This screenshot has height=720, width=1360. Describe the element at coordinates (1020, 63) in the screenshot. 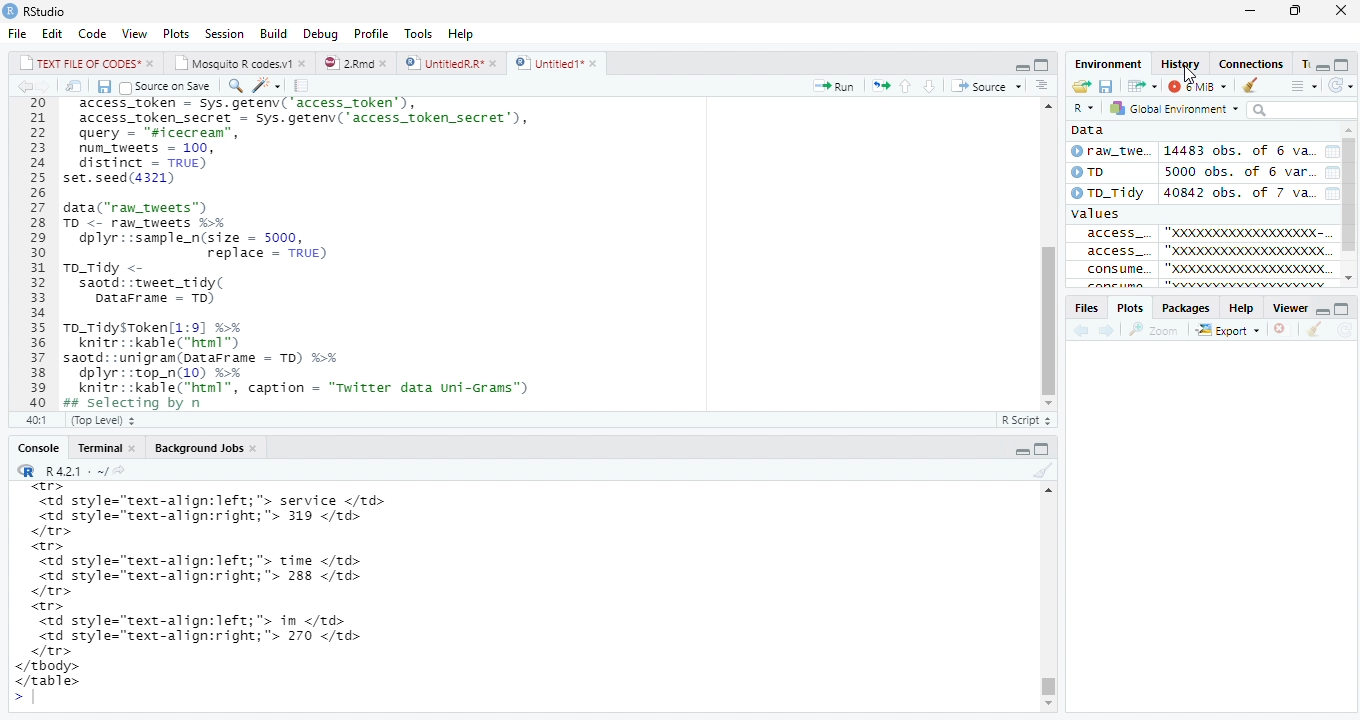

I see `minimze/maximize` at that location.